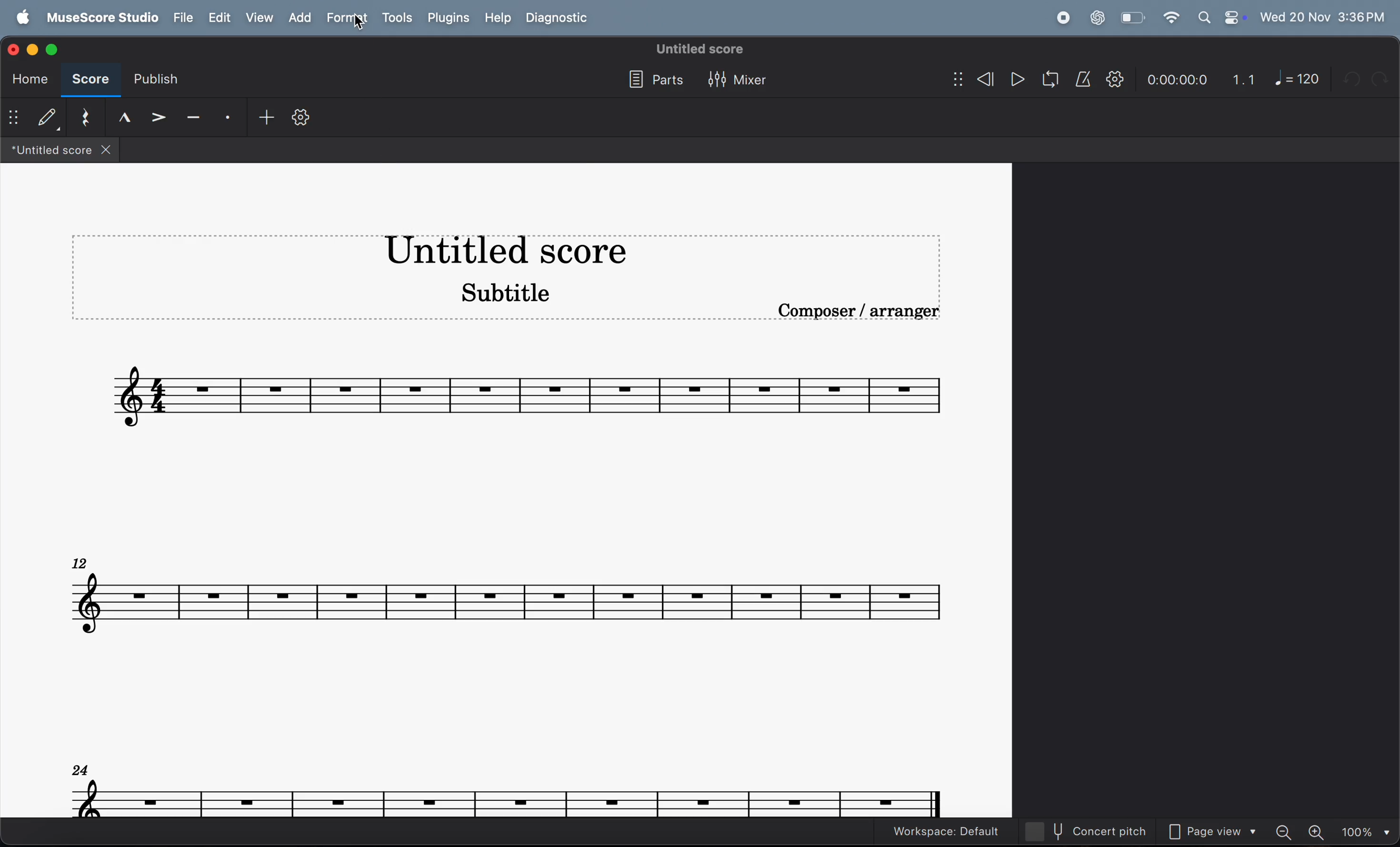 This screenshot has height=847, width=1400. I want to click on concert pitch, so click(1093, 831).